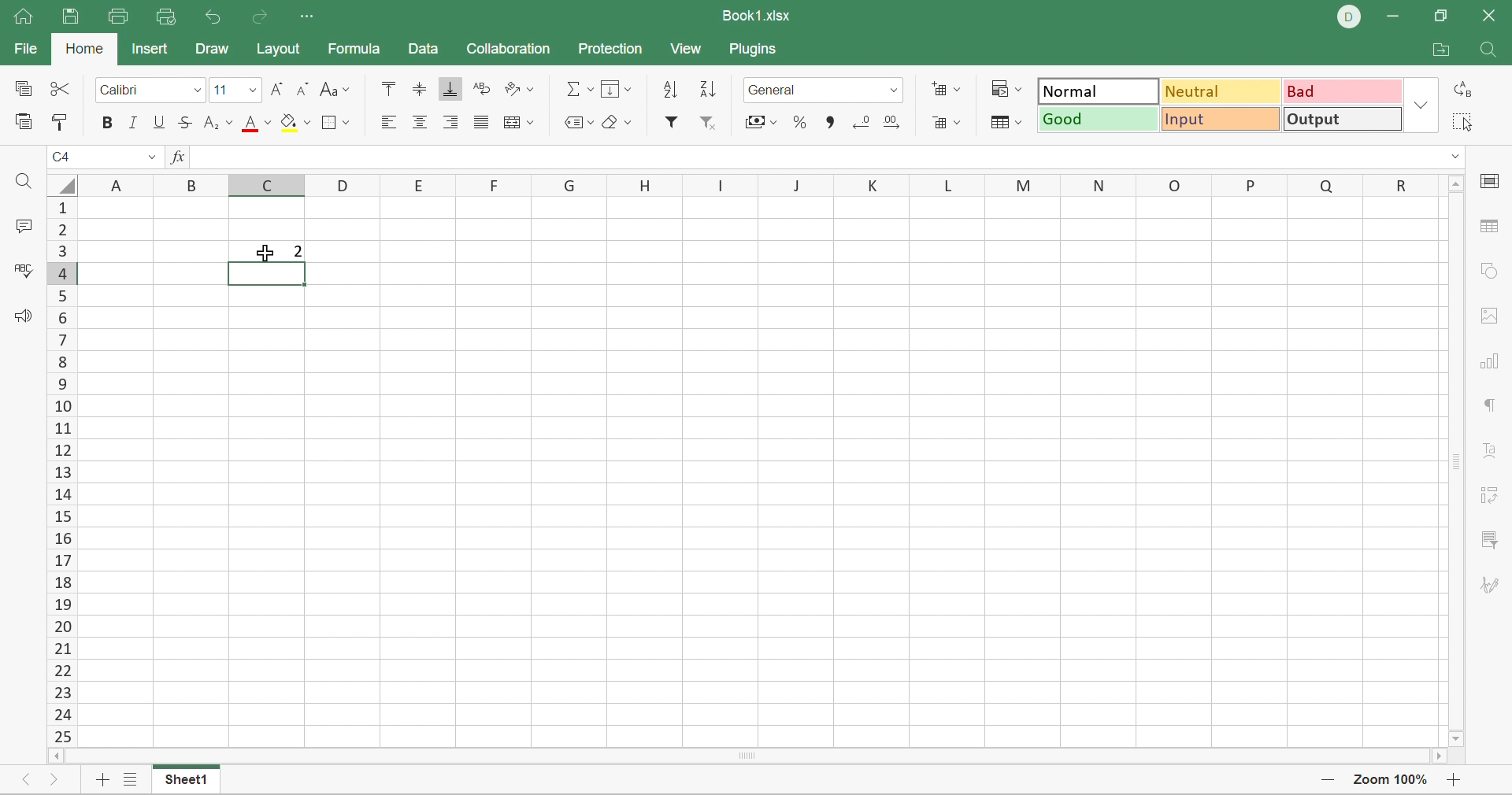 This screenshot has height=795, width=1512. Describe the element at coordinates (1492, 272) in the screenshot. I see `shape settings` at that location.